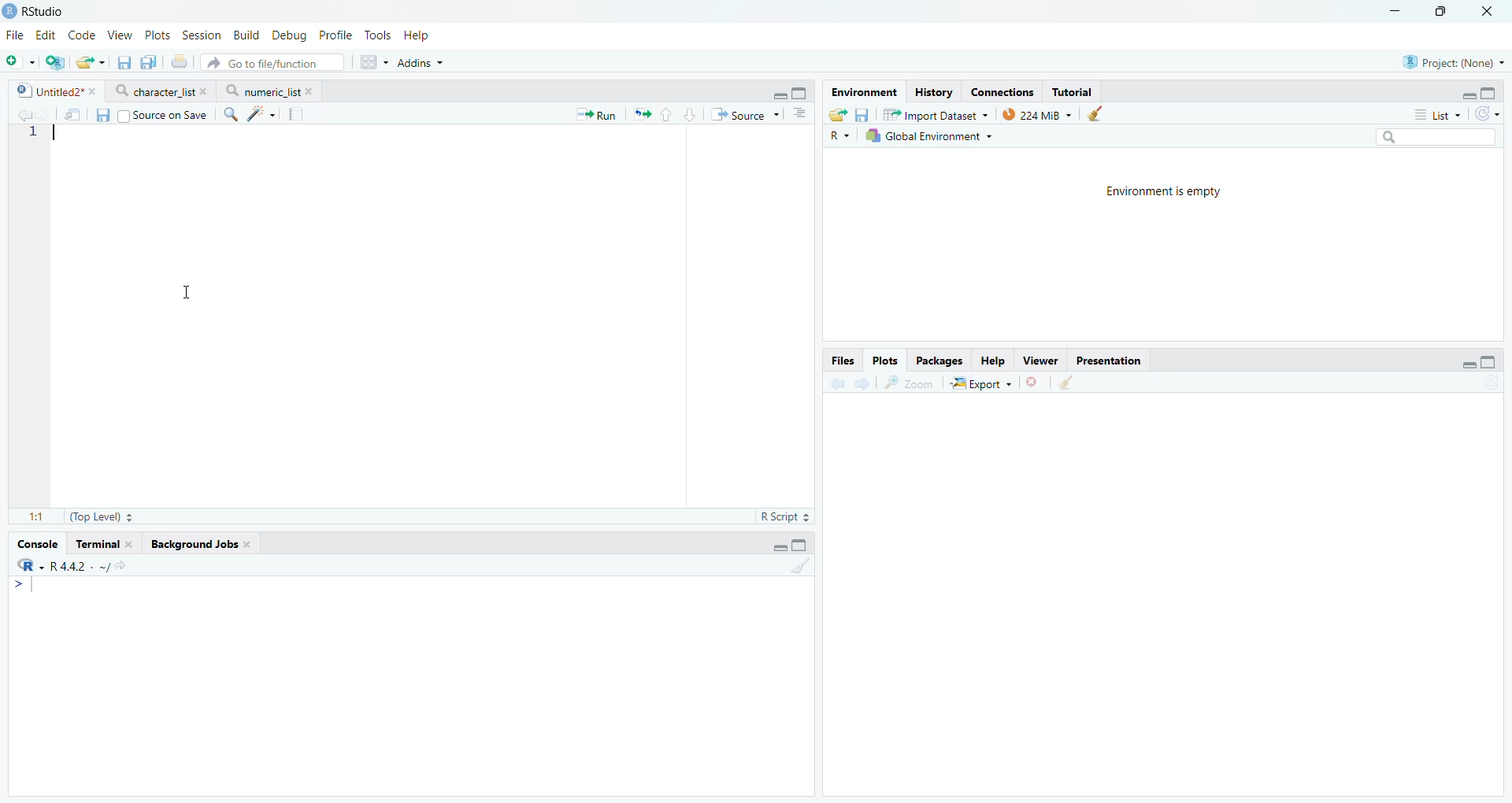  I want to click on Save, so click(102, 115).